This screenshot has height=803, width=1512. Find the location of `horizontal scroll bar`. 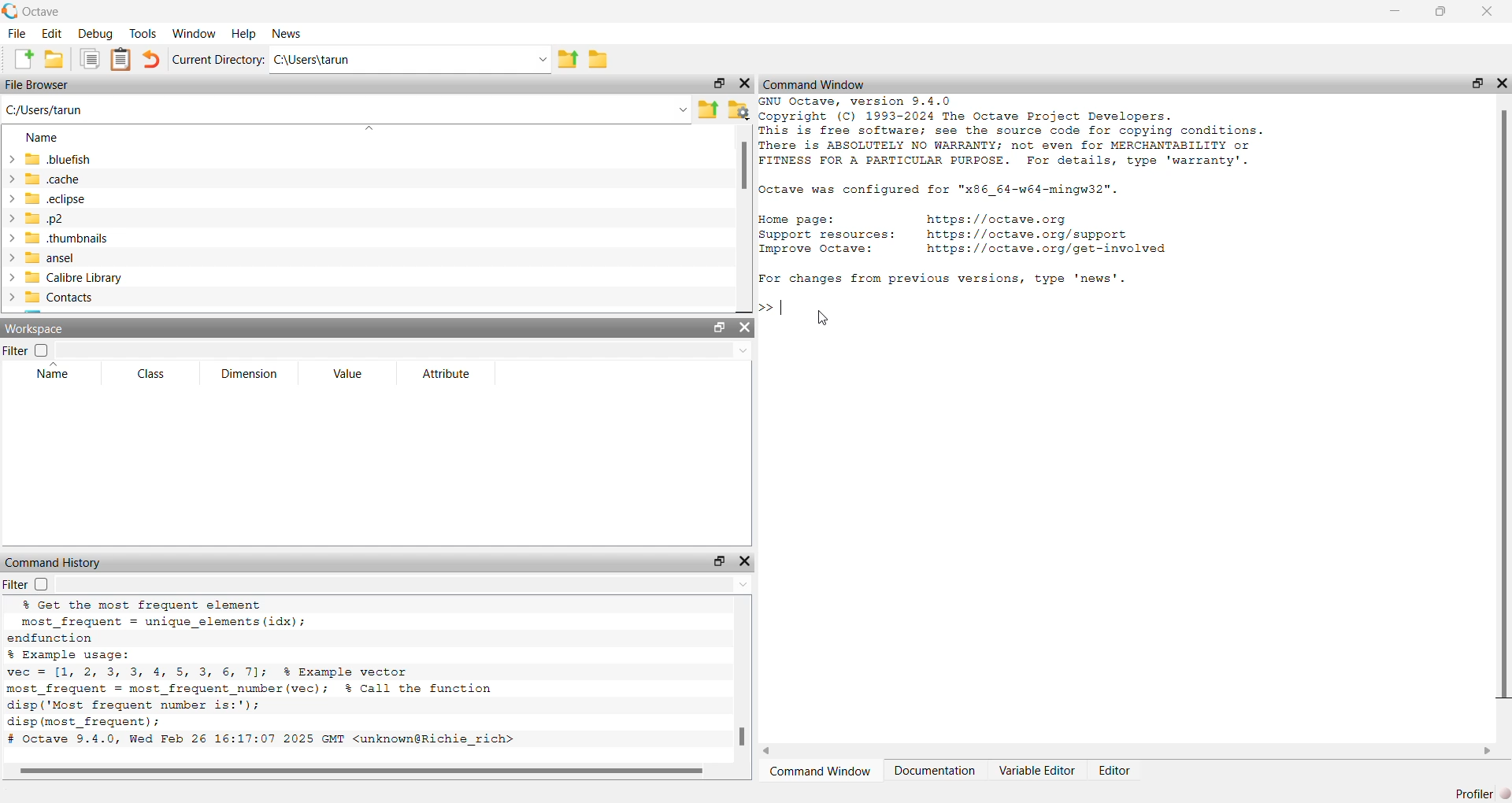

horizontal scroll bar is located at coordinates (367, 772).